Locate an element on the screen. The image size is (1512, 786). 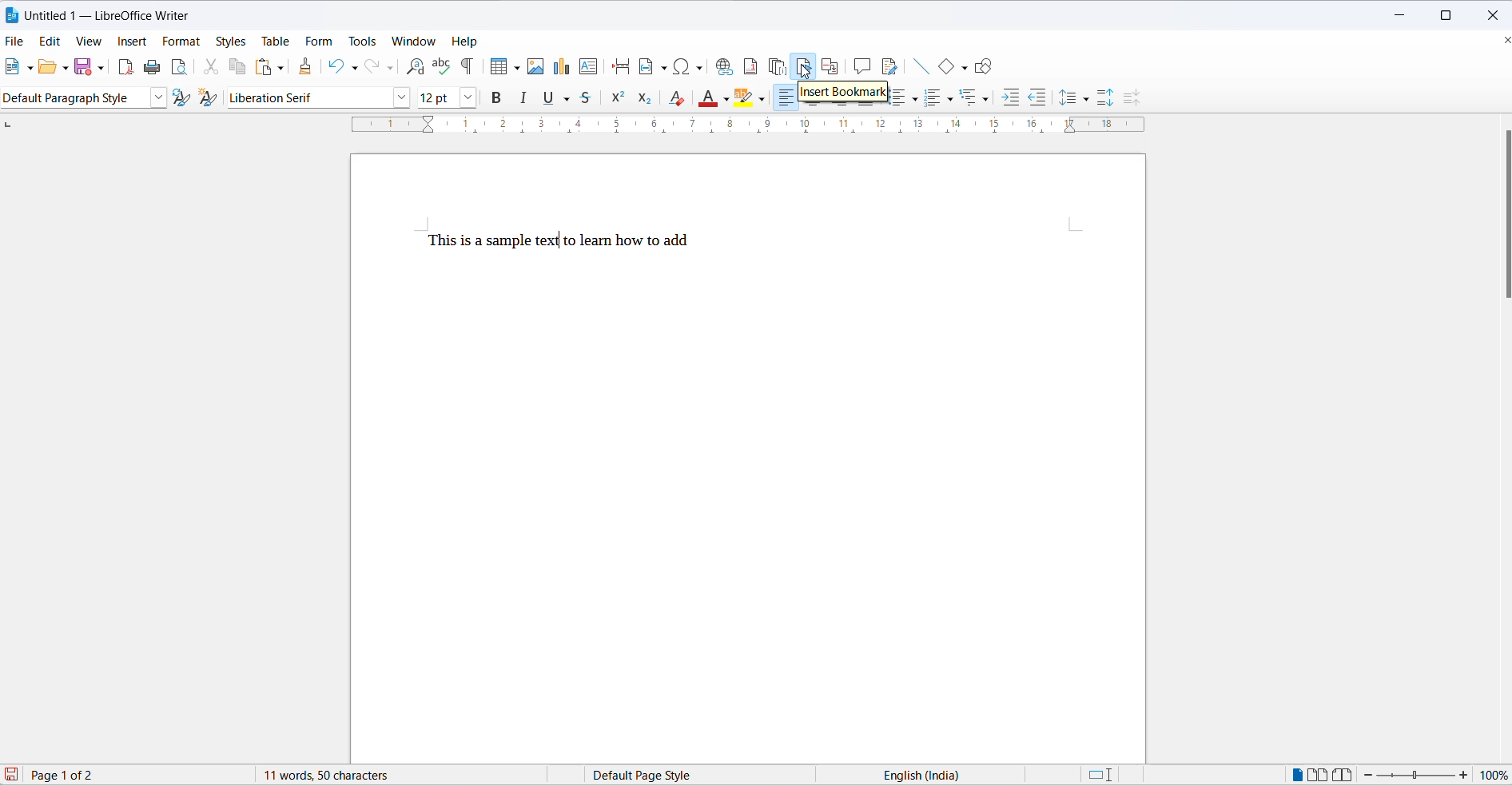
11 words, 50 characters is located at coordinates (329, 776).